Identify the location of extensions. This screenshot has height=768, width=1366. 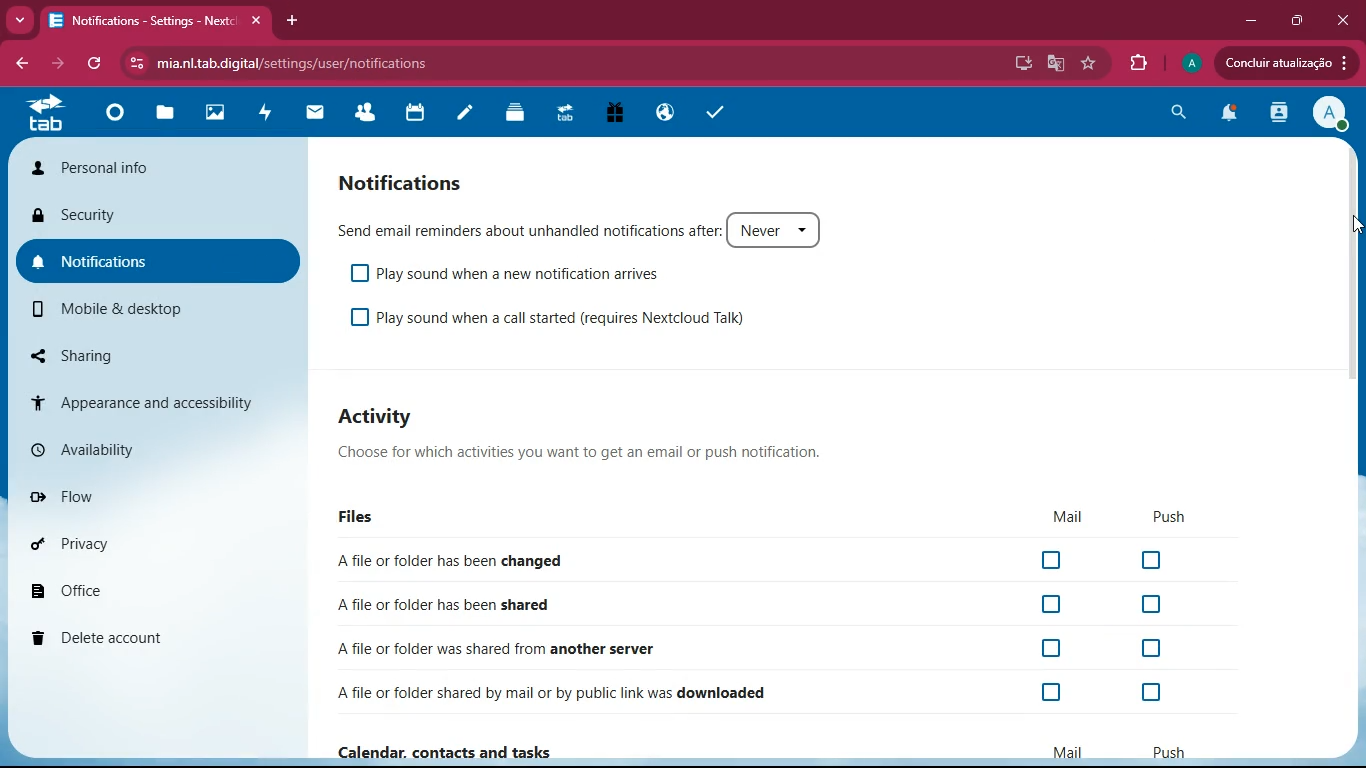
(1141, 64).